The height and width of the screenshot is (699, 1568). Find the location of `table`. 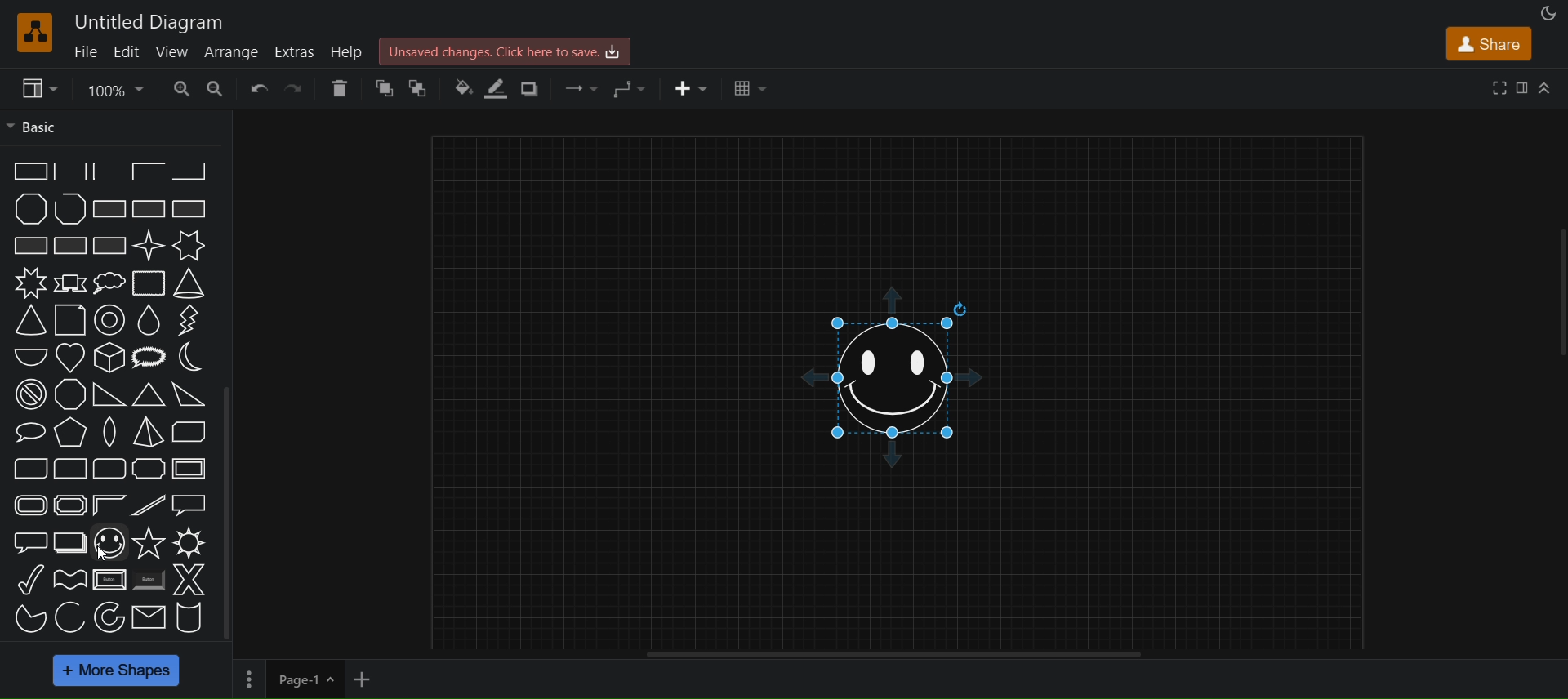

table is located at coordinates (753, 87).